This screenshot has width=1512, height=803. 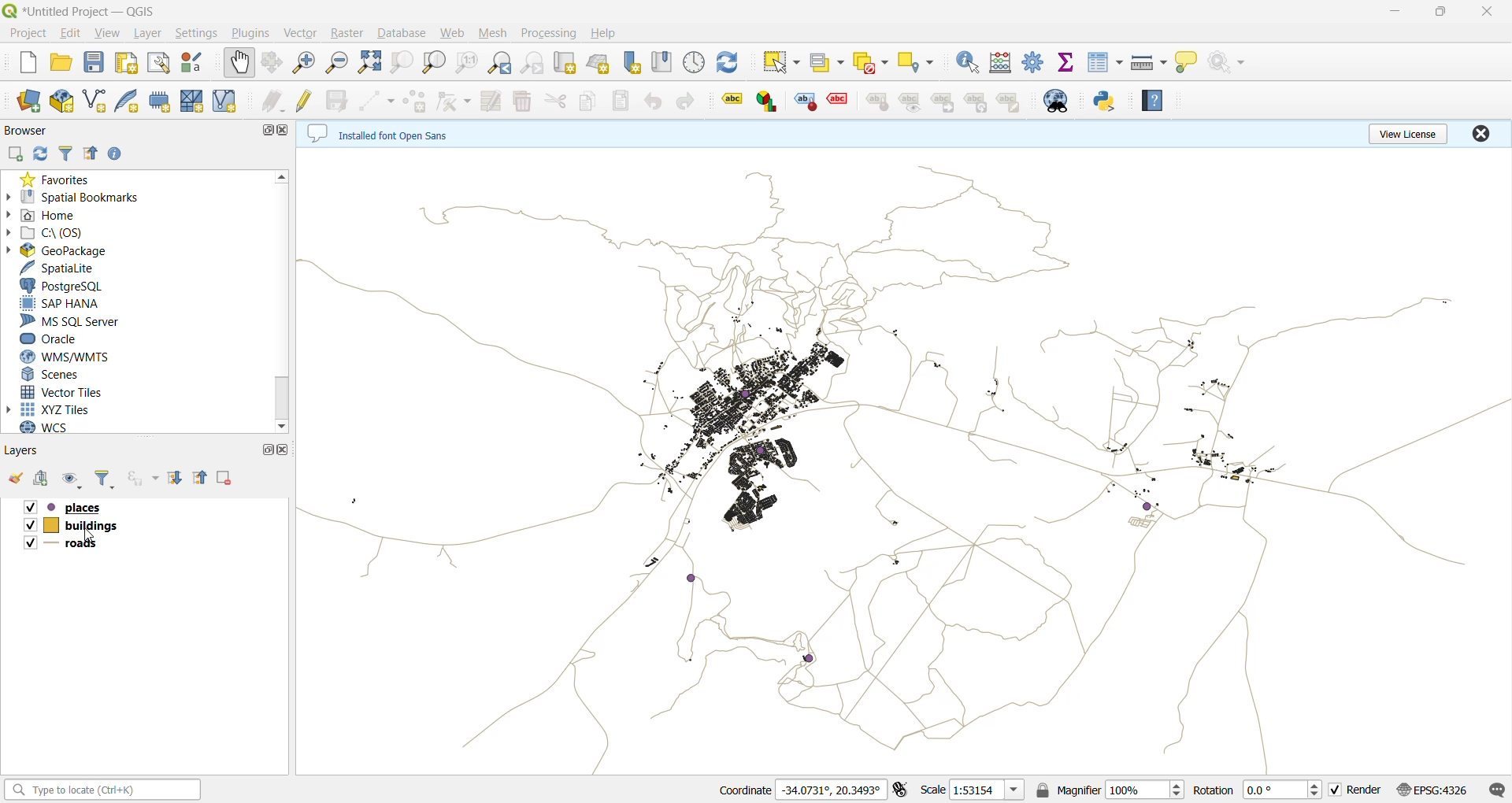 I want to click on label, so click(x=726, y=99).